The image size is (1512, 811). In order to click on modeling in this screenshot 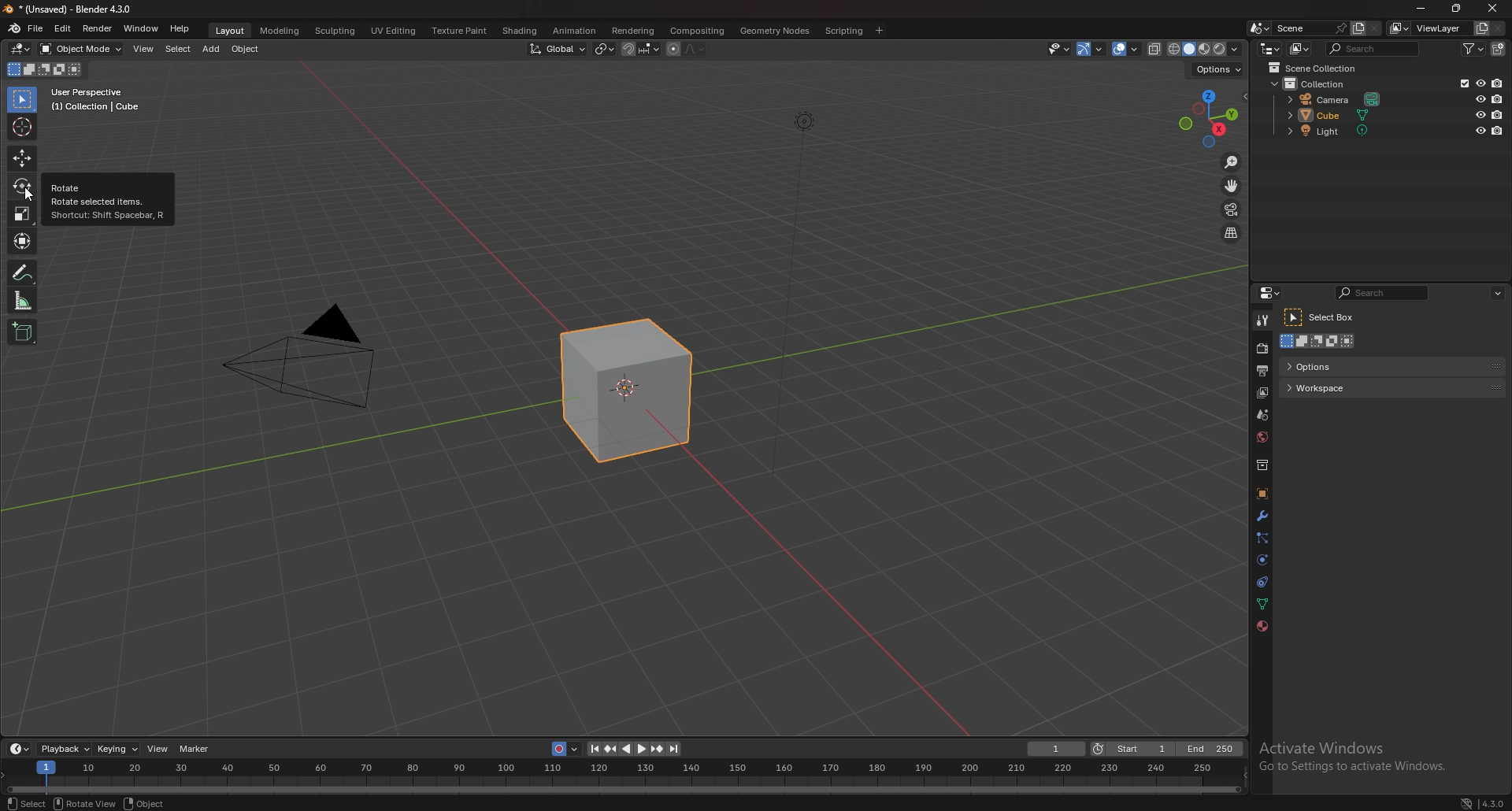, I will do `click(281, 31)`.